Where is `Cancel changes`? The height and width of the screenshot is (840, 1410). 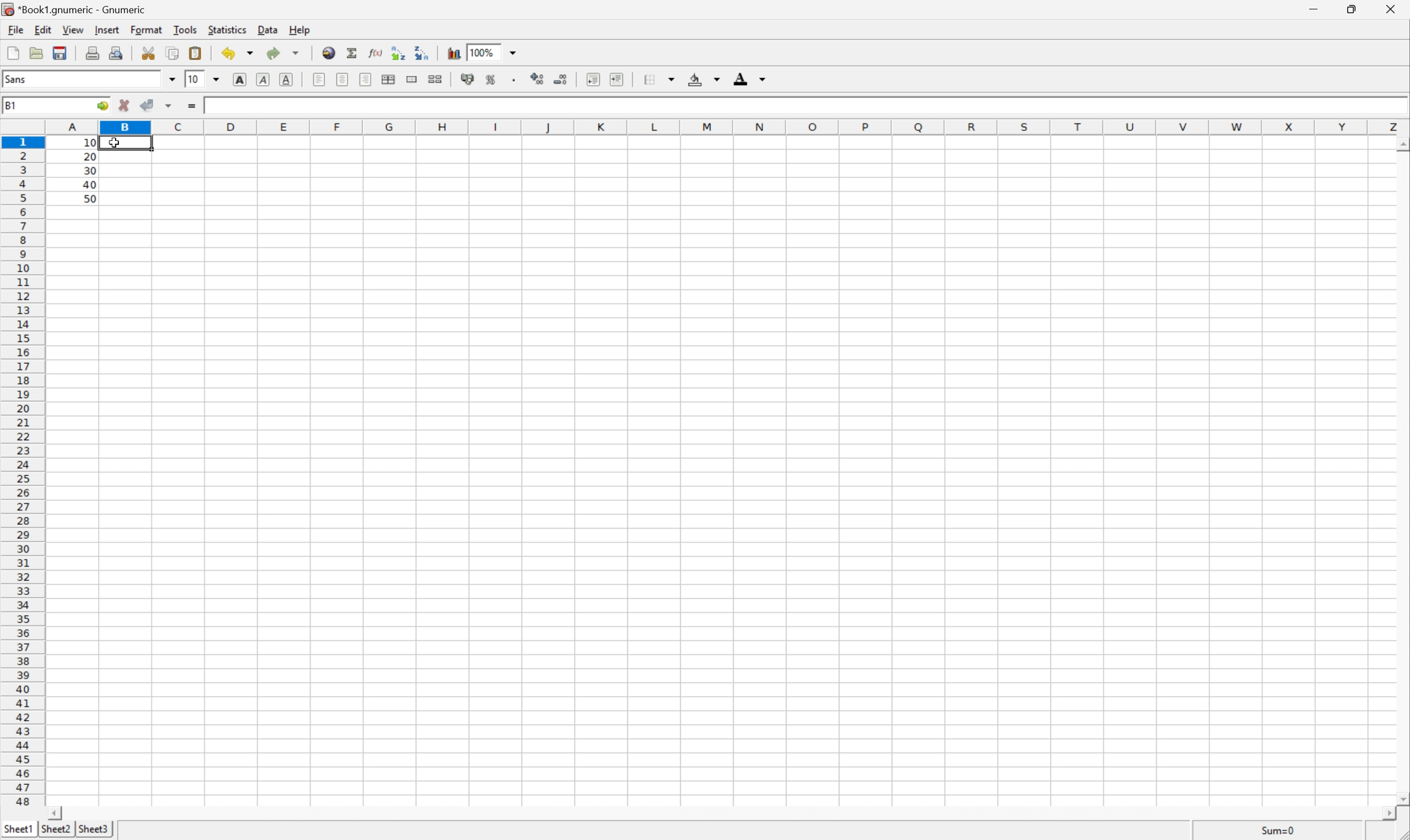 Cancel changes is located at coordinates (126, 106).